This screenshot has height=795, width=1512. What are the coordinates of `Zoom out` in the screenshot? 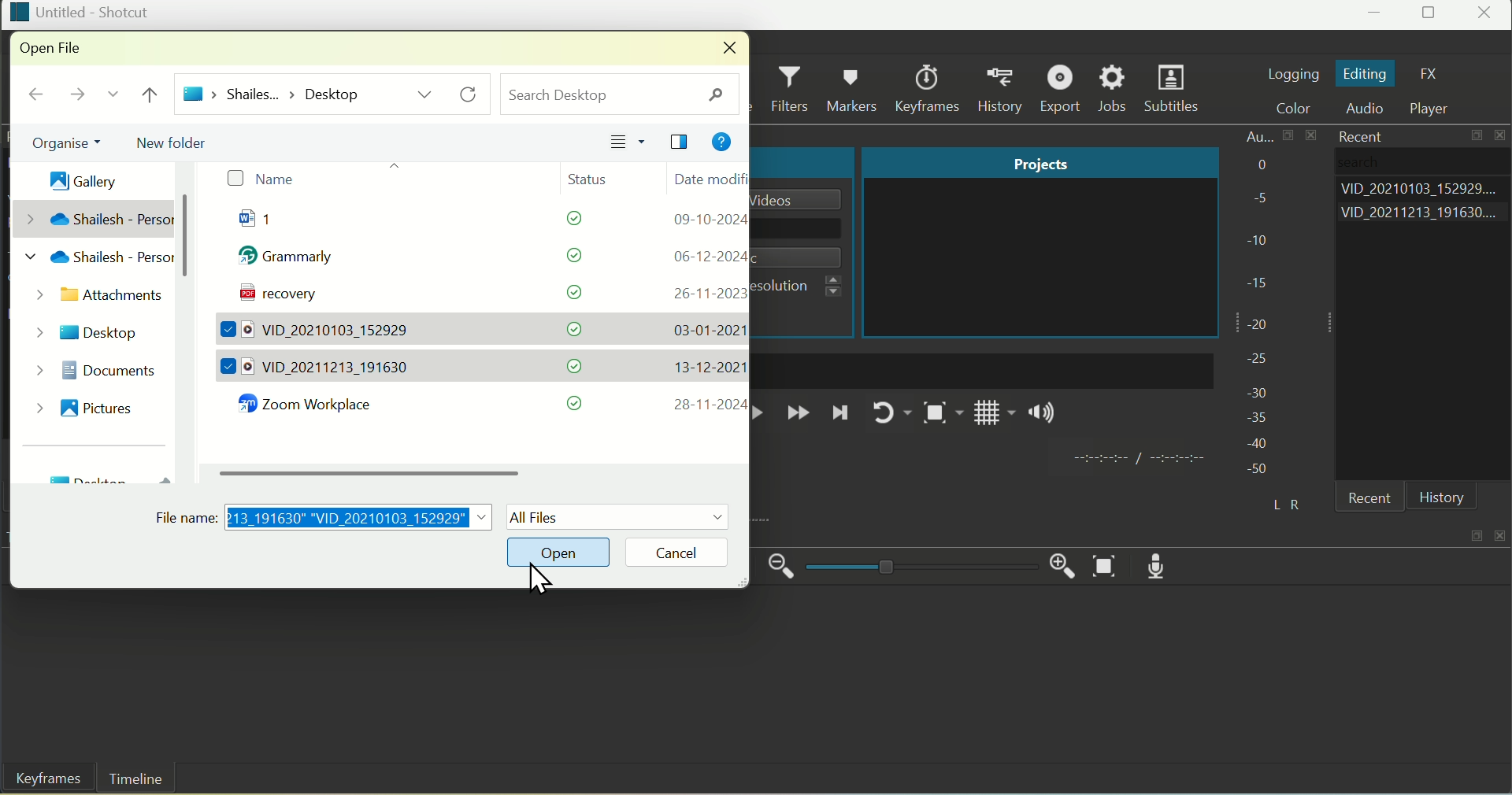 It's located at (782, 567).